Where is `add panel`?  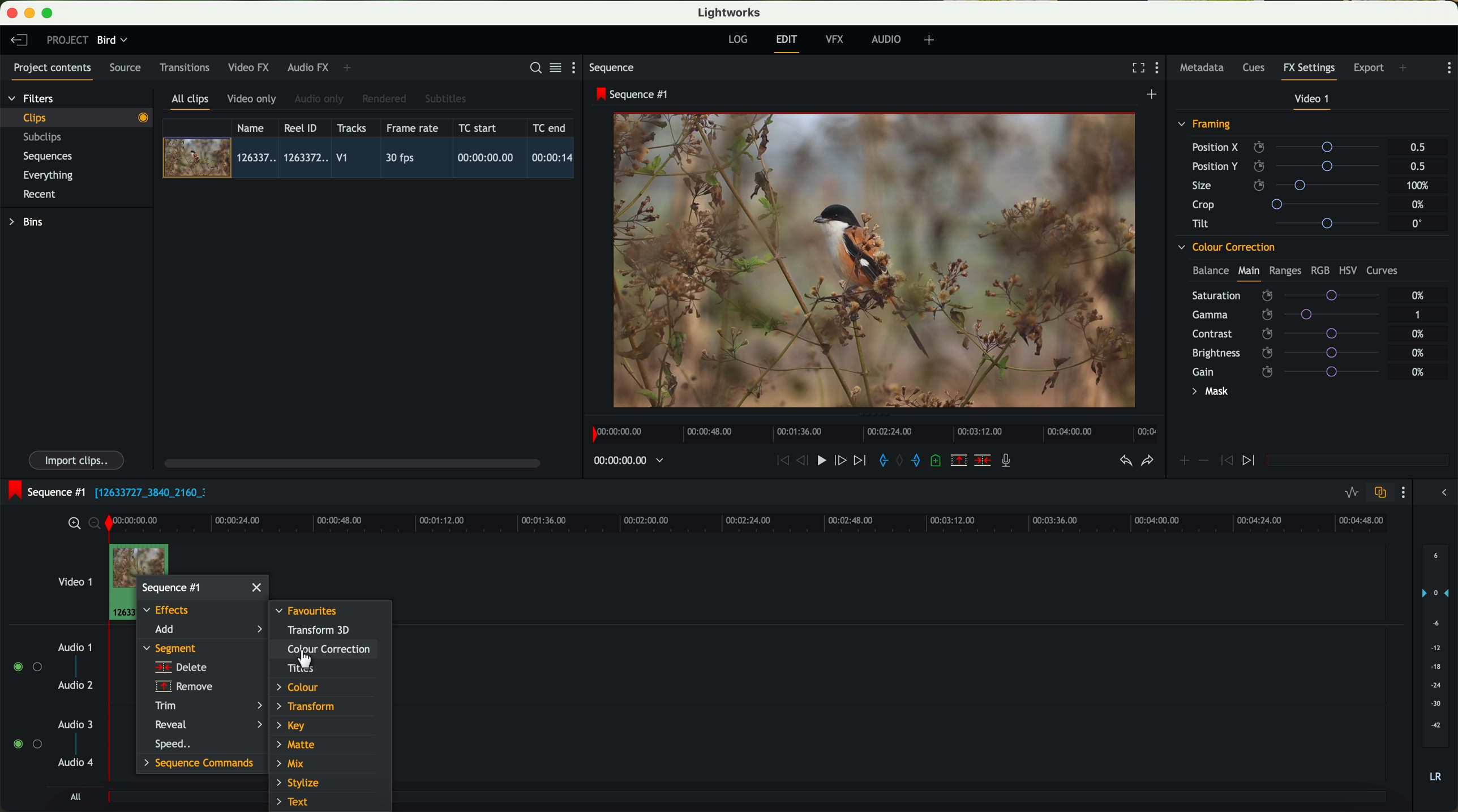
add panel is located at coordinates (1406, 69).